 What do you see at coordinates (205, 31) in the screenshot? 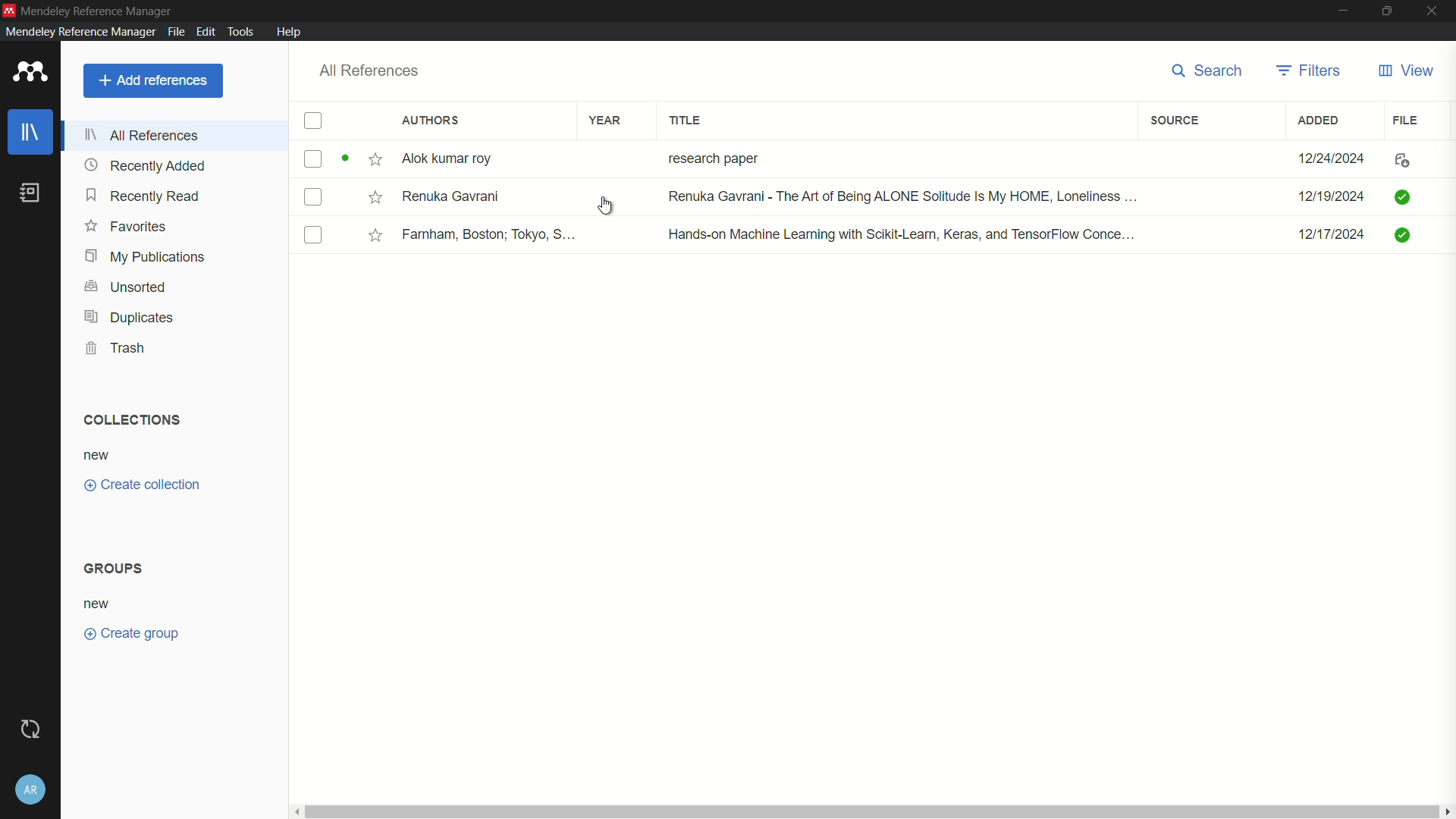
I see `edit menu` at bounding box center [205, 31].